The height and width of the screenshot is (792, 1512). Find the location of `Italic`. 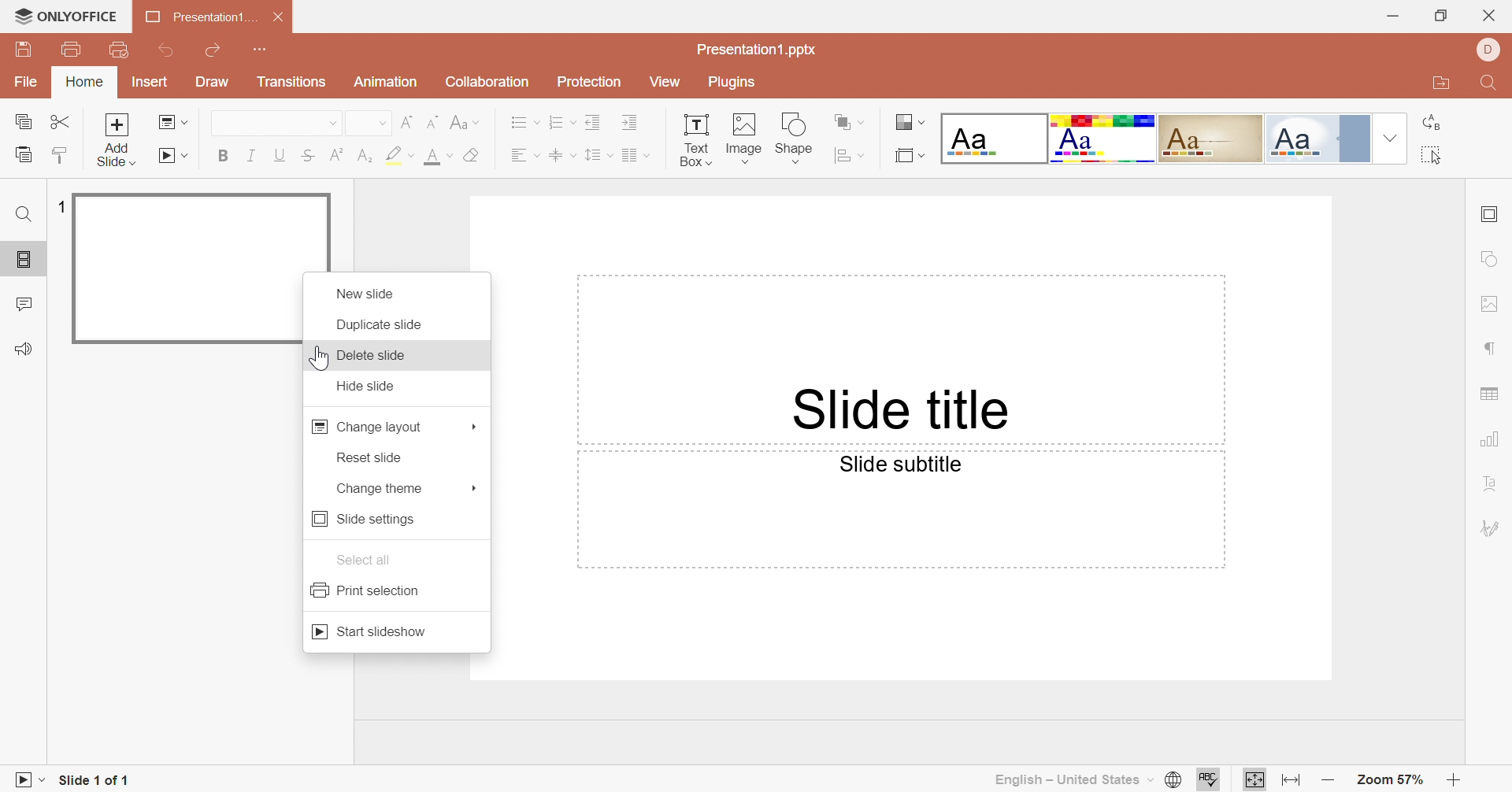

Italic is located at coordinates (250, 154).